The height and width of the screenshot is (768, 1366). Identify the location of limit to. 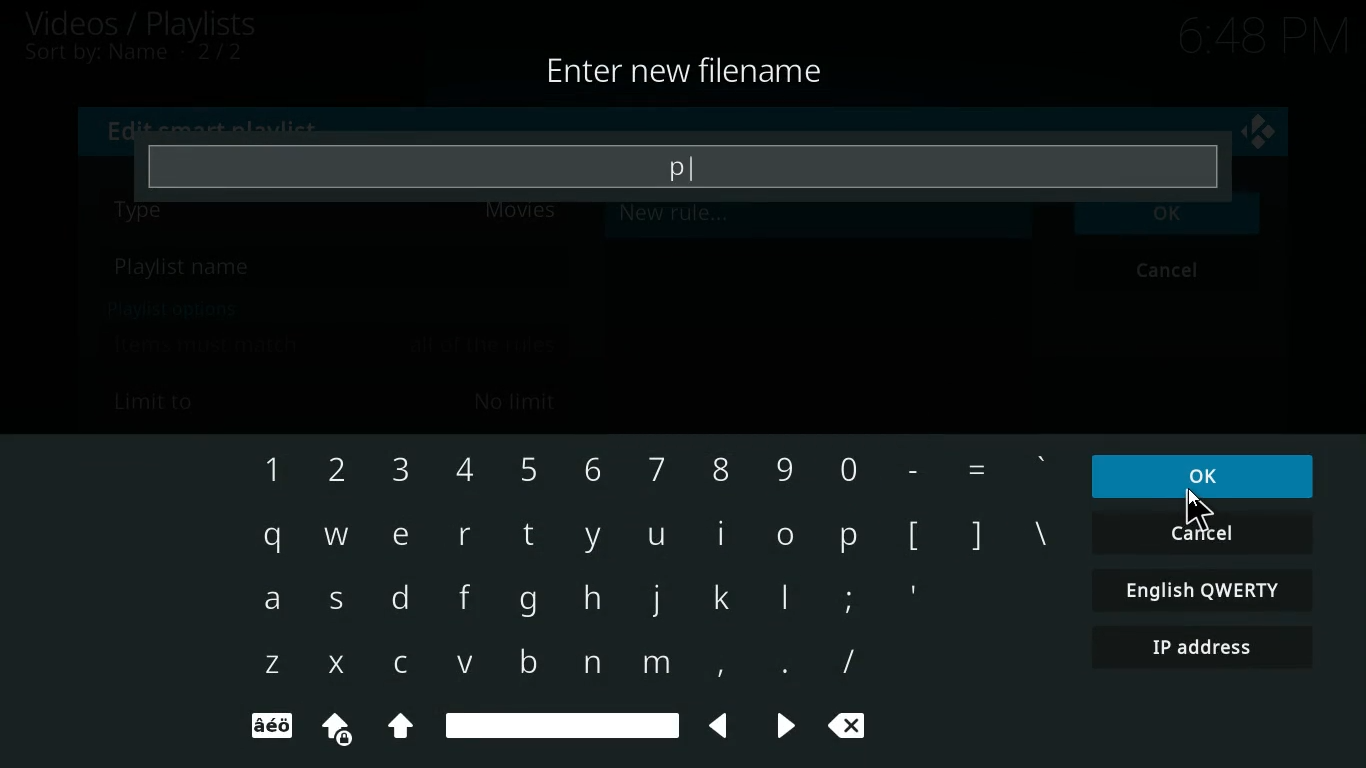
(339, 400).